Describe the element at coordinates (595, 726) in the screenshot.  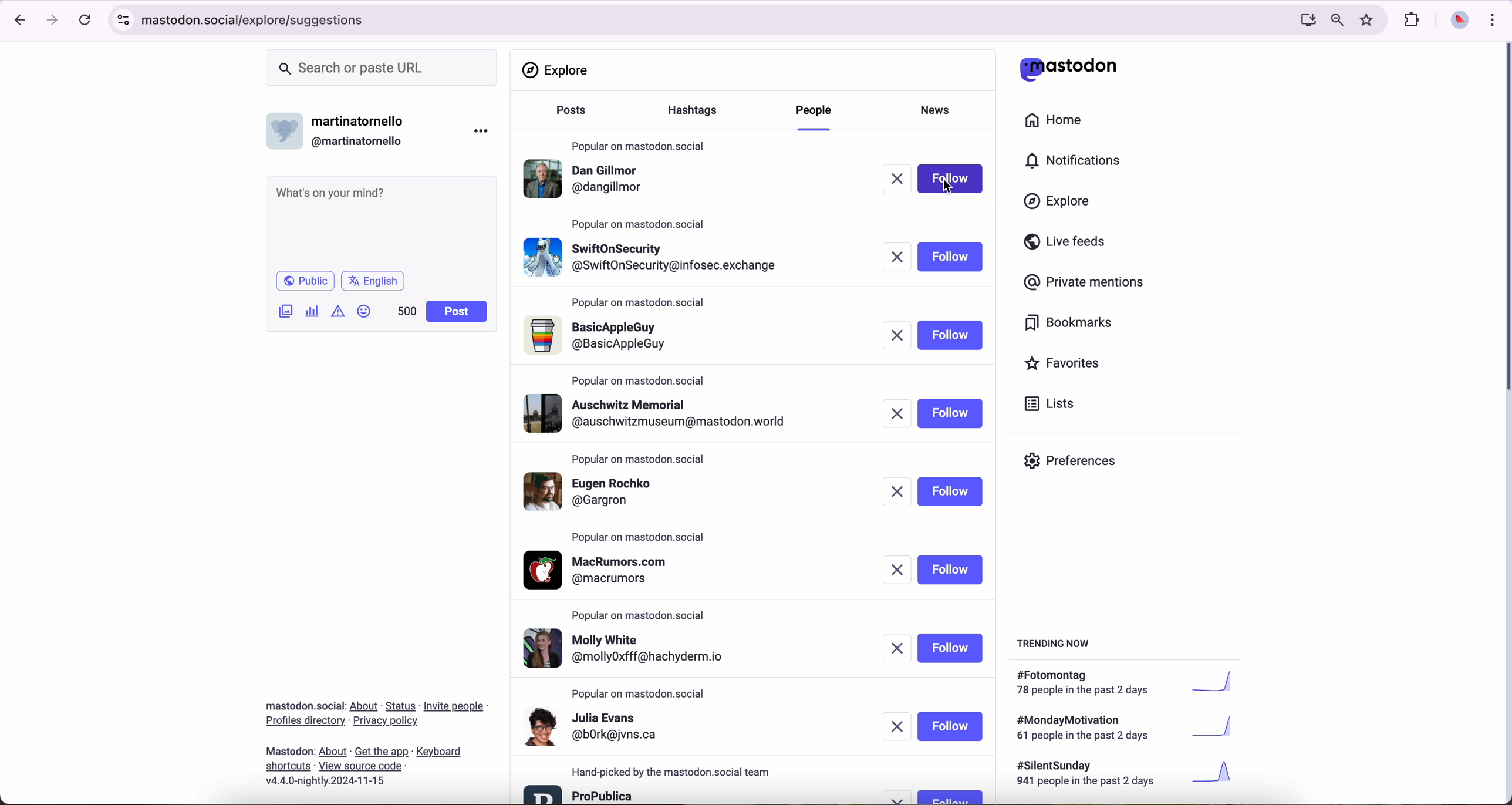
I see `profile` at that location.